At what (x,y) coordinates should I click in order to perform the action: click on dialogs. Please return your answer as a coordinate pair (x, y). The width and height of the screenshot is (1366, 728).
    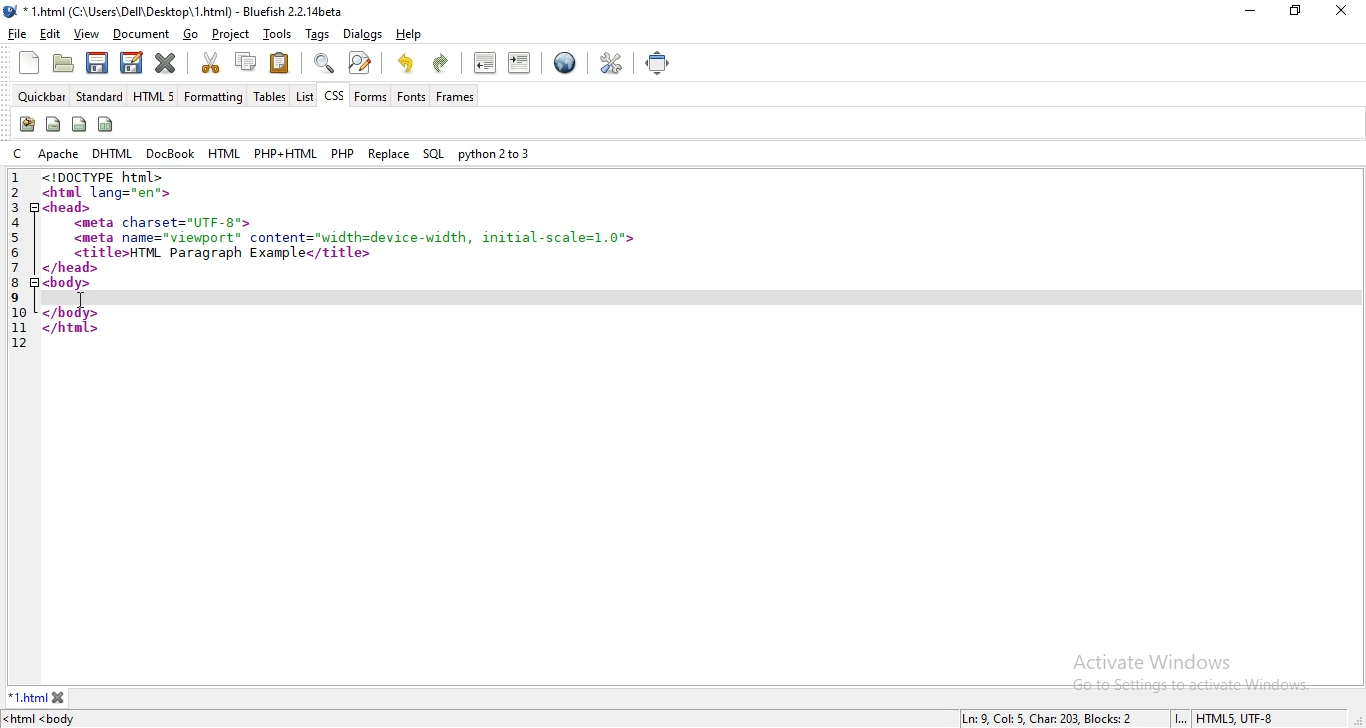
    Looking at the image, I should click on (365, 36).